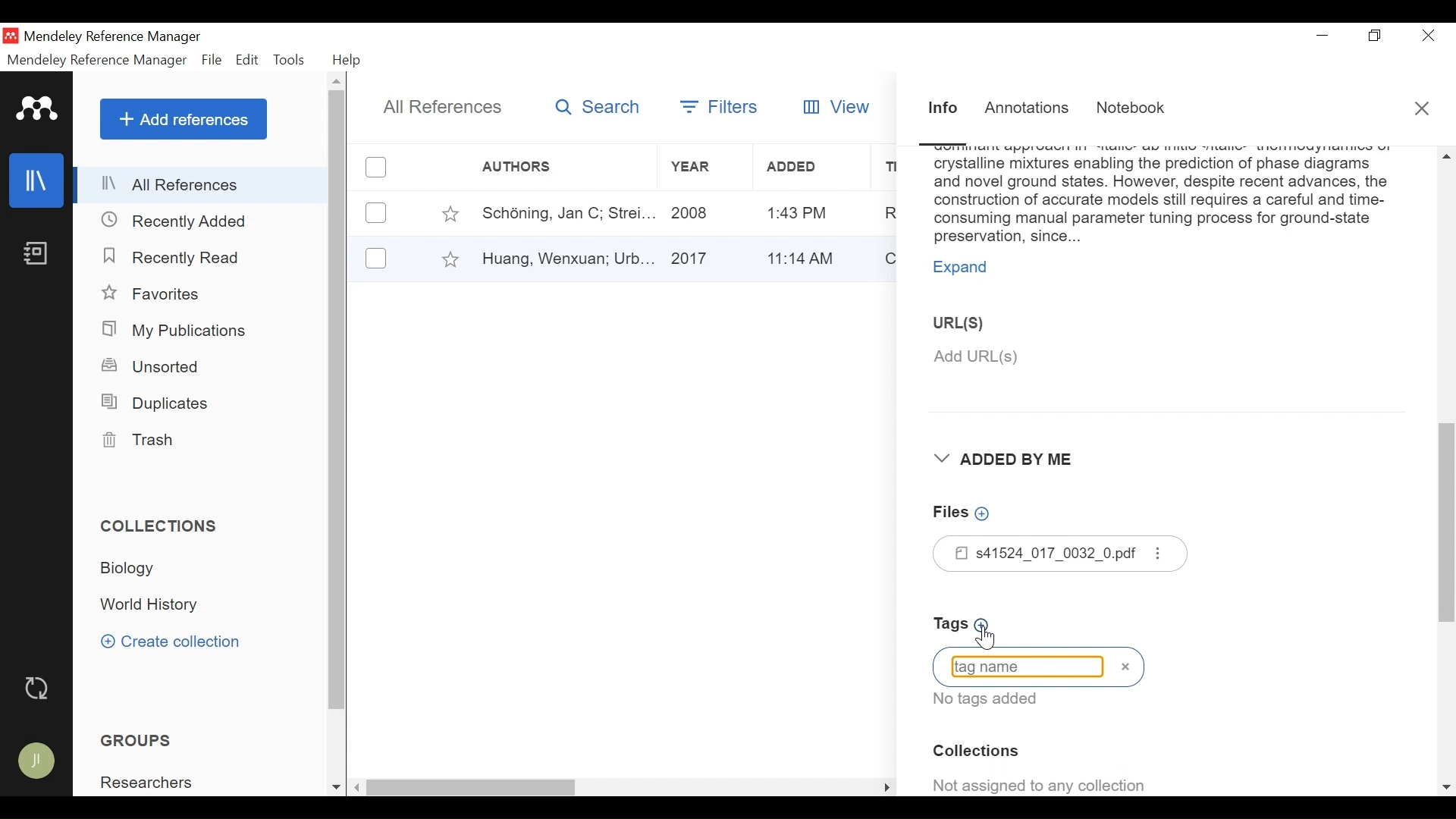 The width and height of the screenshot is (1456, 819). I want to click on Duplicates, so click(153, 403).